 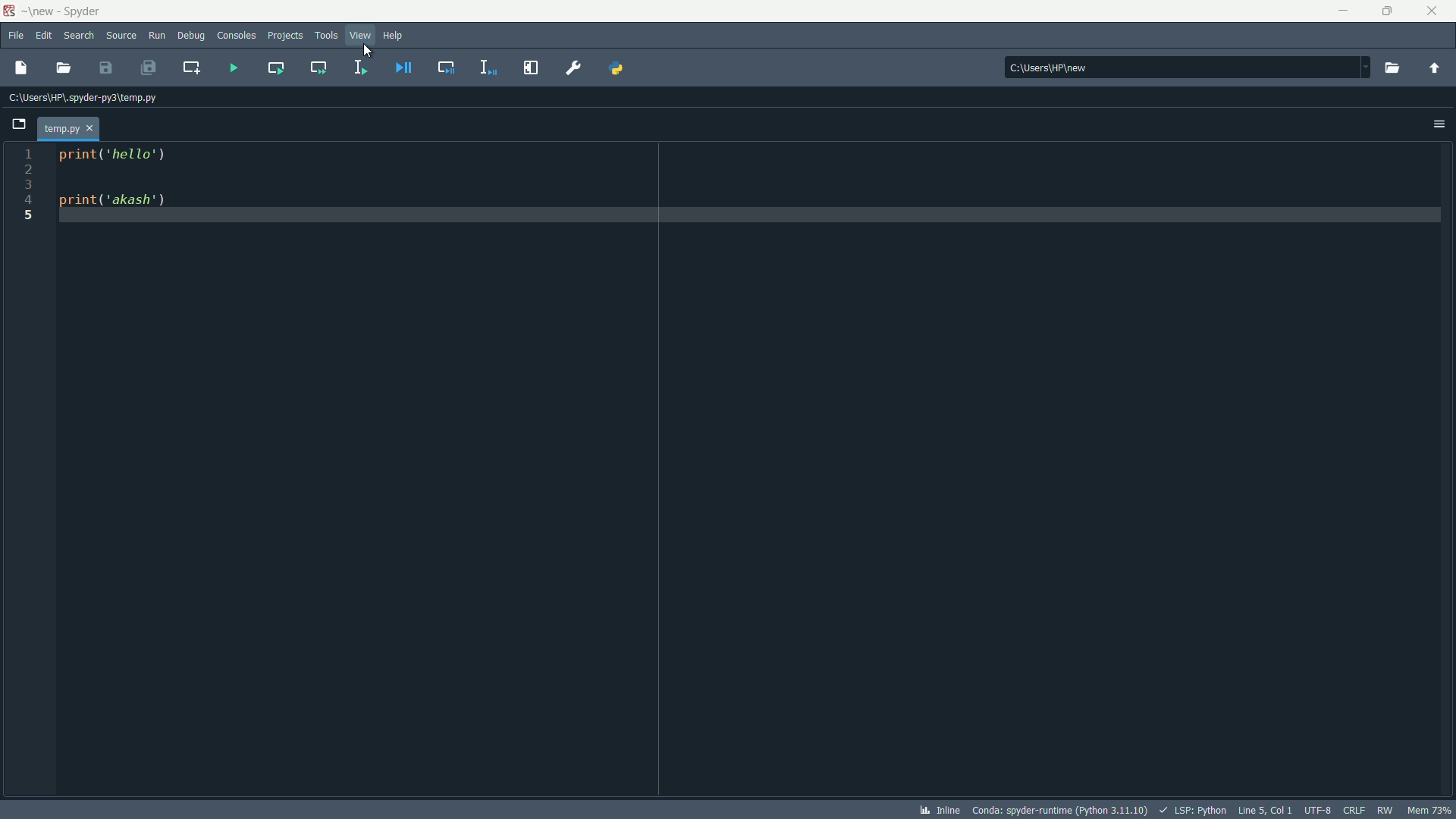 I want to click on minimize, so click(x=1347, y=11).